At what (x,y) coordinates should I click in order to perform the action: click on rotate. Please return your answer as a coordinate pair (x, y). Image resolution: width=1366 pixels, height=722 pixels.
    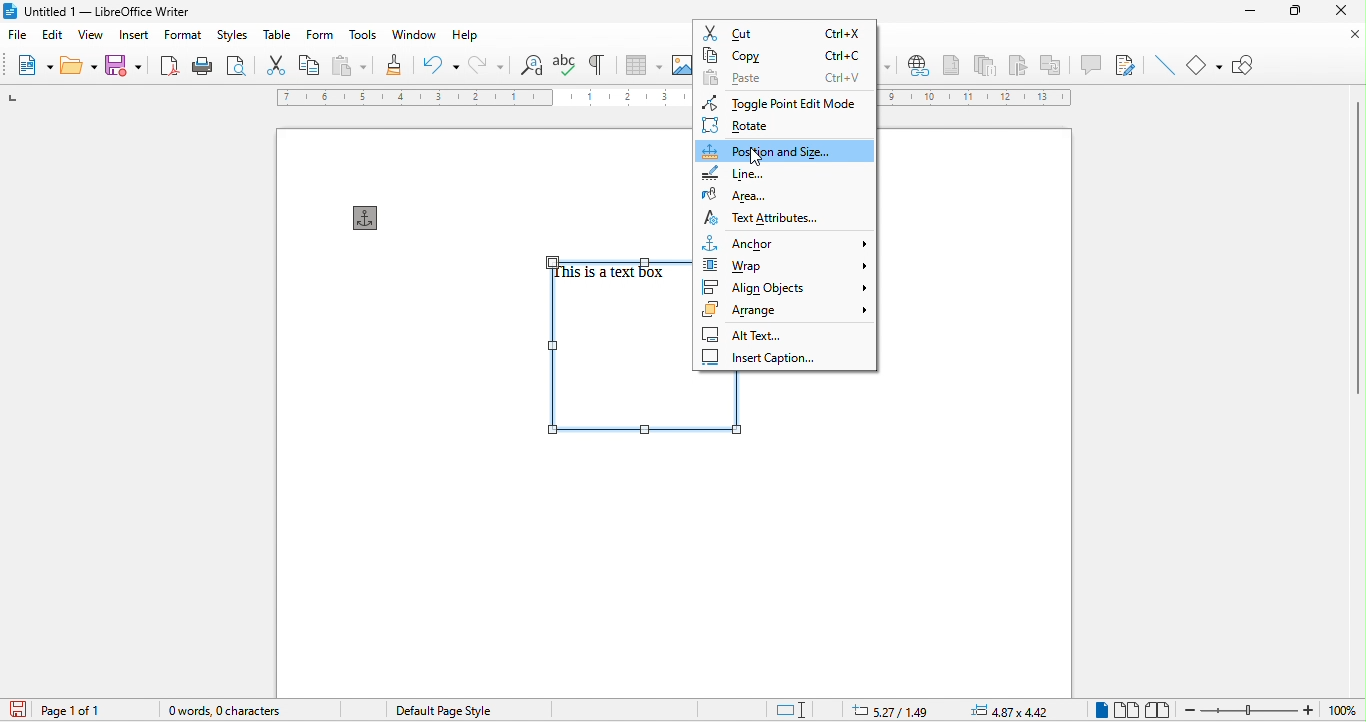
    Looking at the image, I should click on (740, 126).